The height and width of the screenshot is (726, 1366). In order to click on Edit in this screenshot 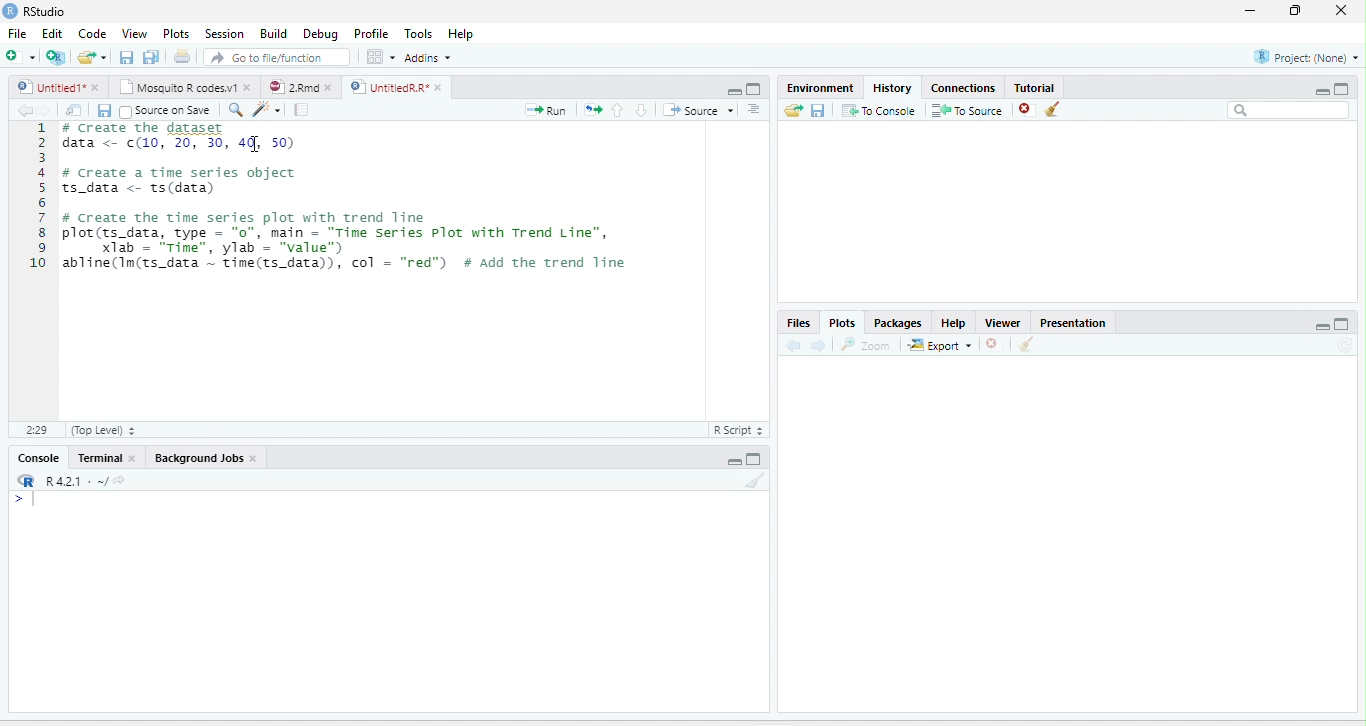, I will do `click(51, 33)`.